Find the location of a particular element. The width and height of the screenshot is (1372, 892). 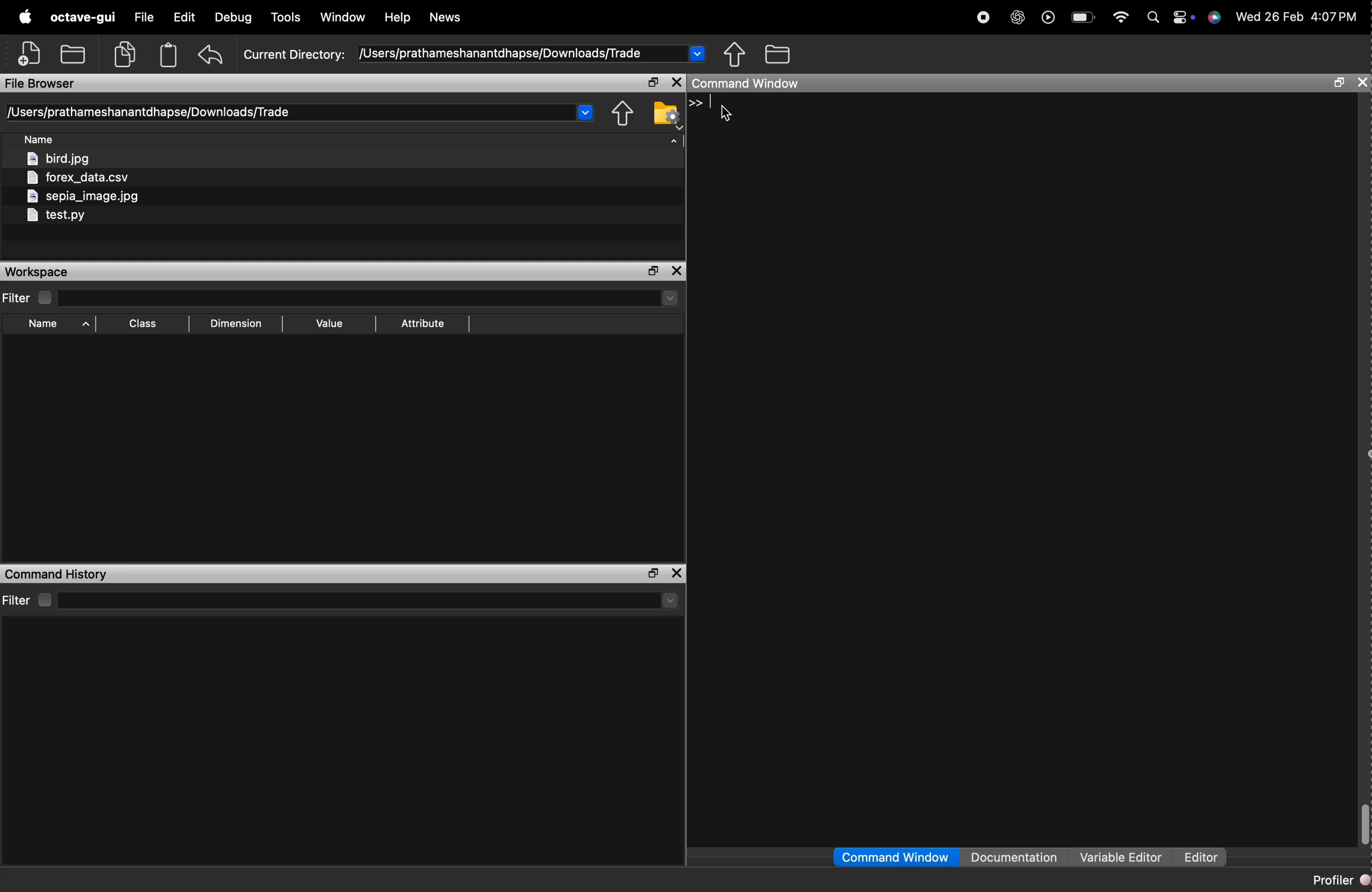

battery is located at coordinates (1084, 17).